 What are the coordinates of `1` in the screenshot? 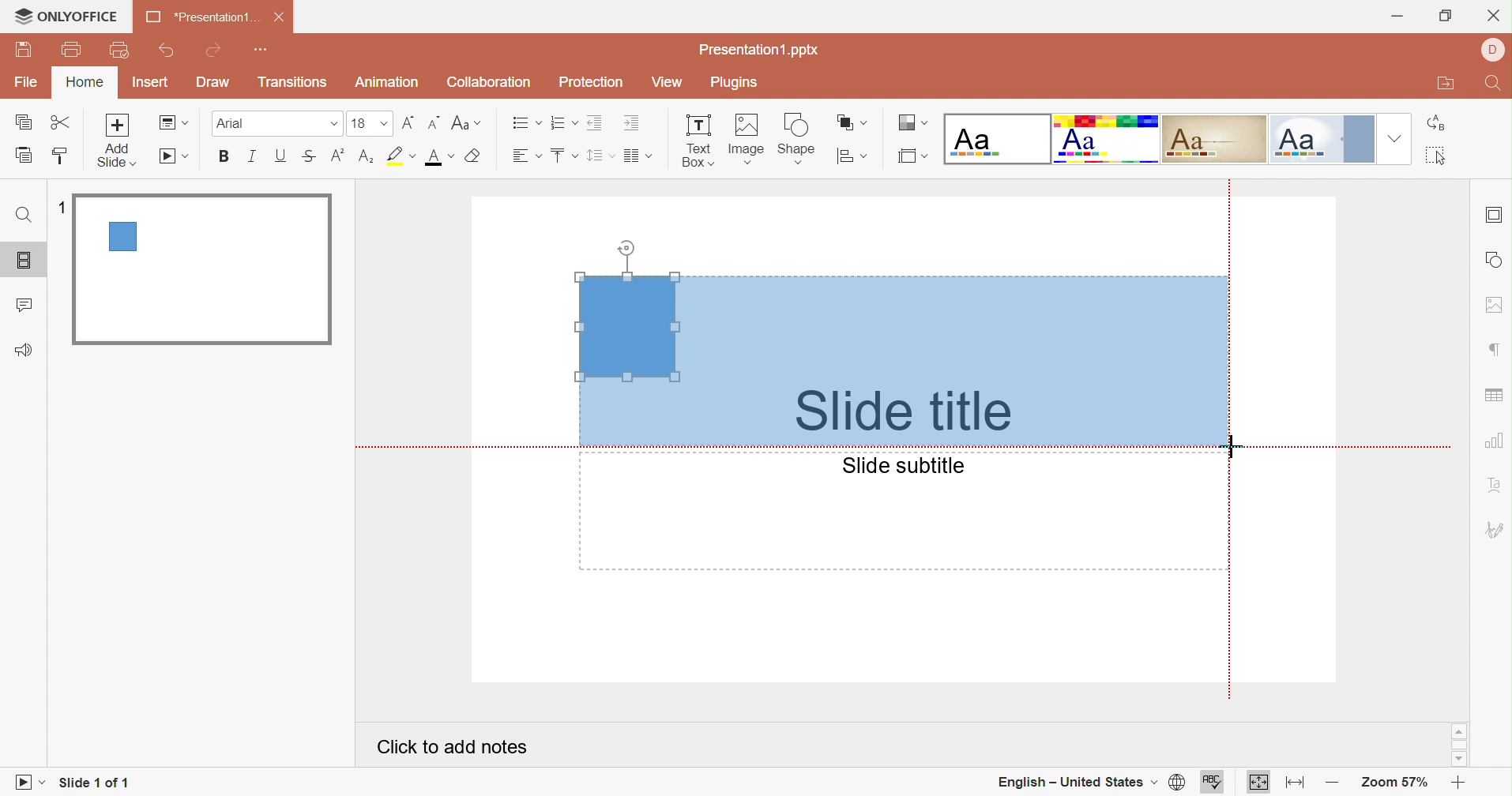 It's located at (64, 210).